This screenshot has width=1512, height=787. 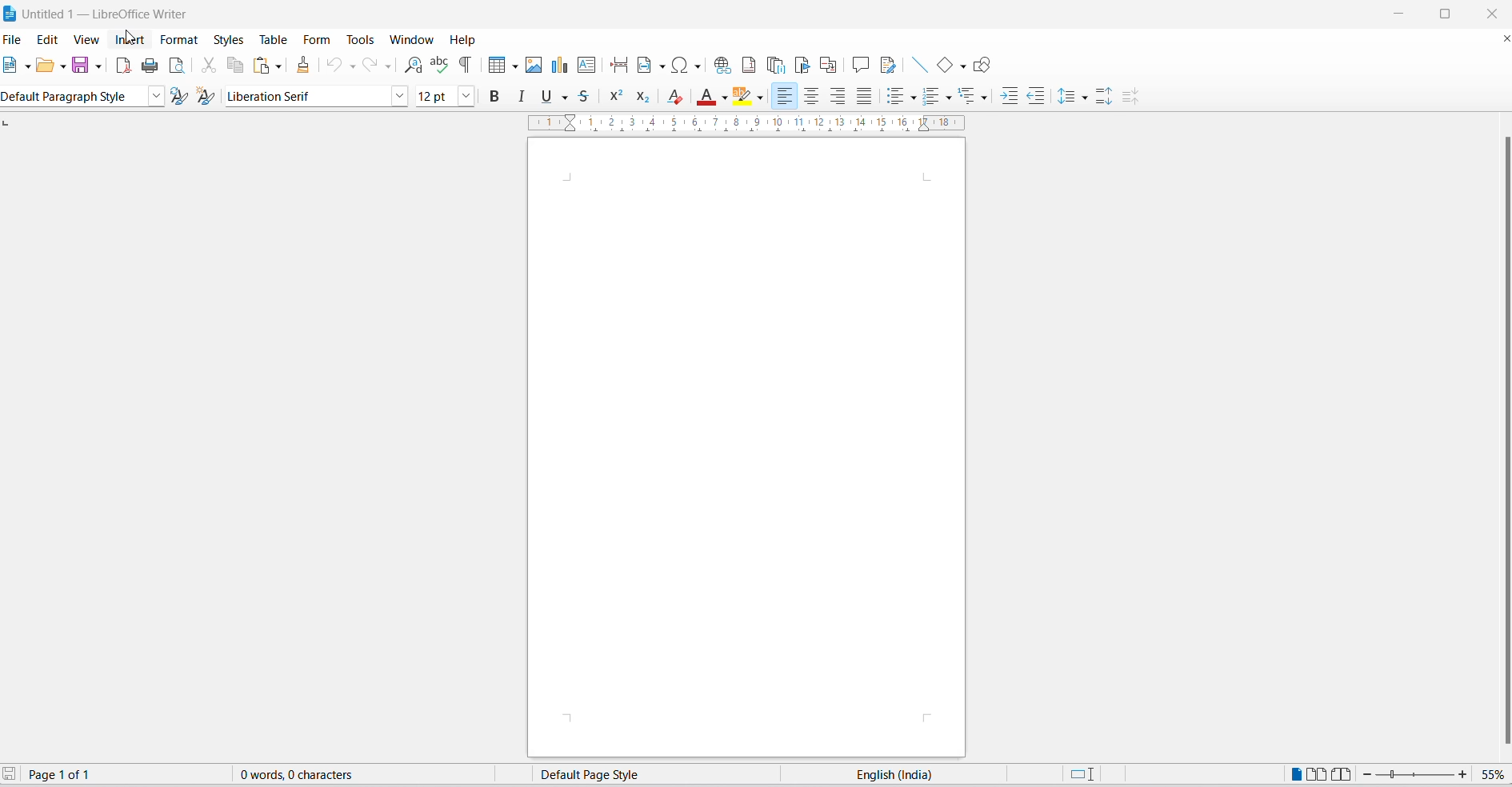 I want to click on select outline format, so click(x=976, y=97).